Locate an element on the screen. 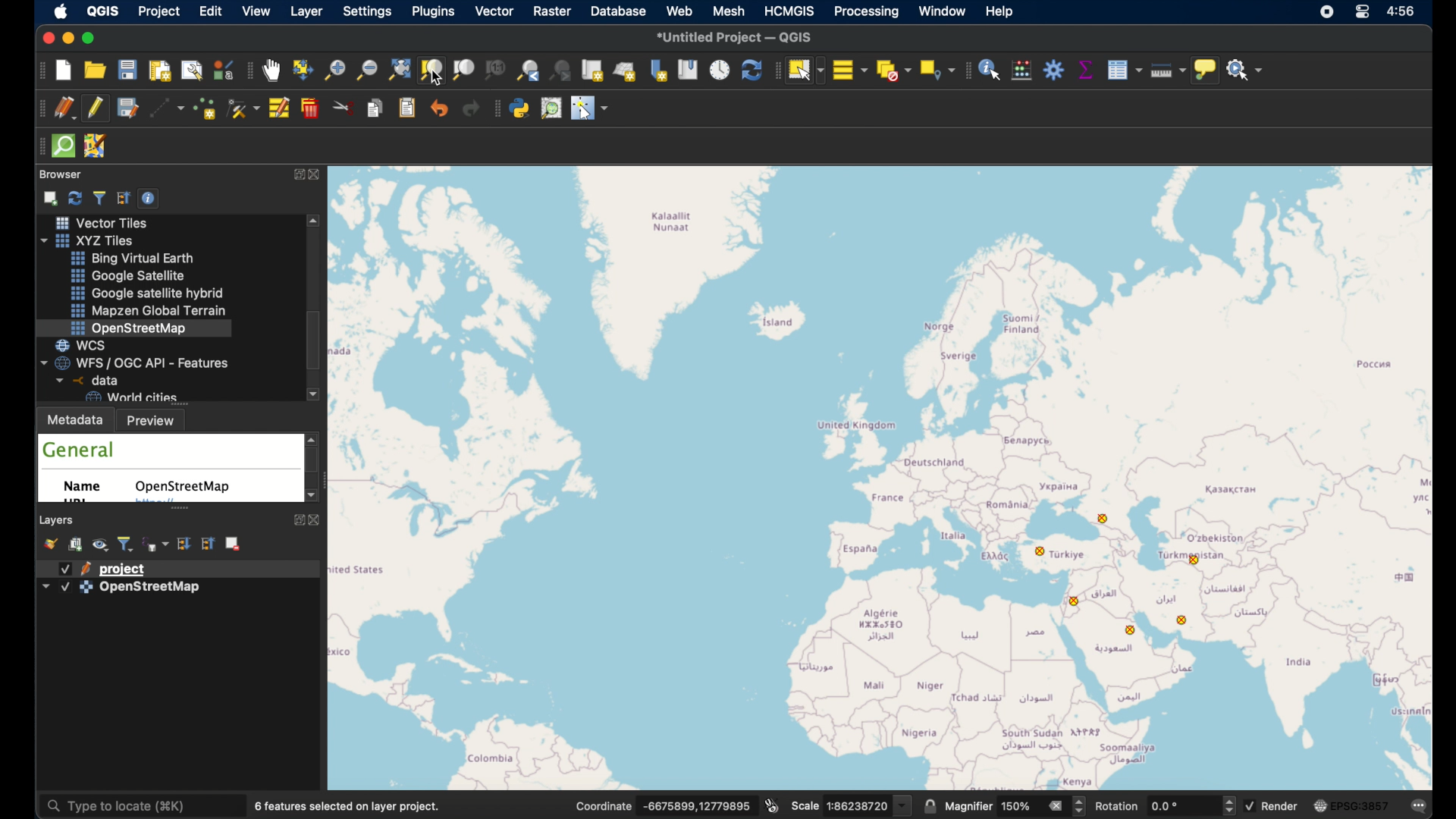  control center is located at coordinates (1364, 14).